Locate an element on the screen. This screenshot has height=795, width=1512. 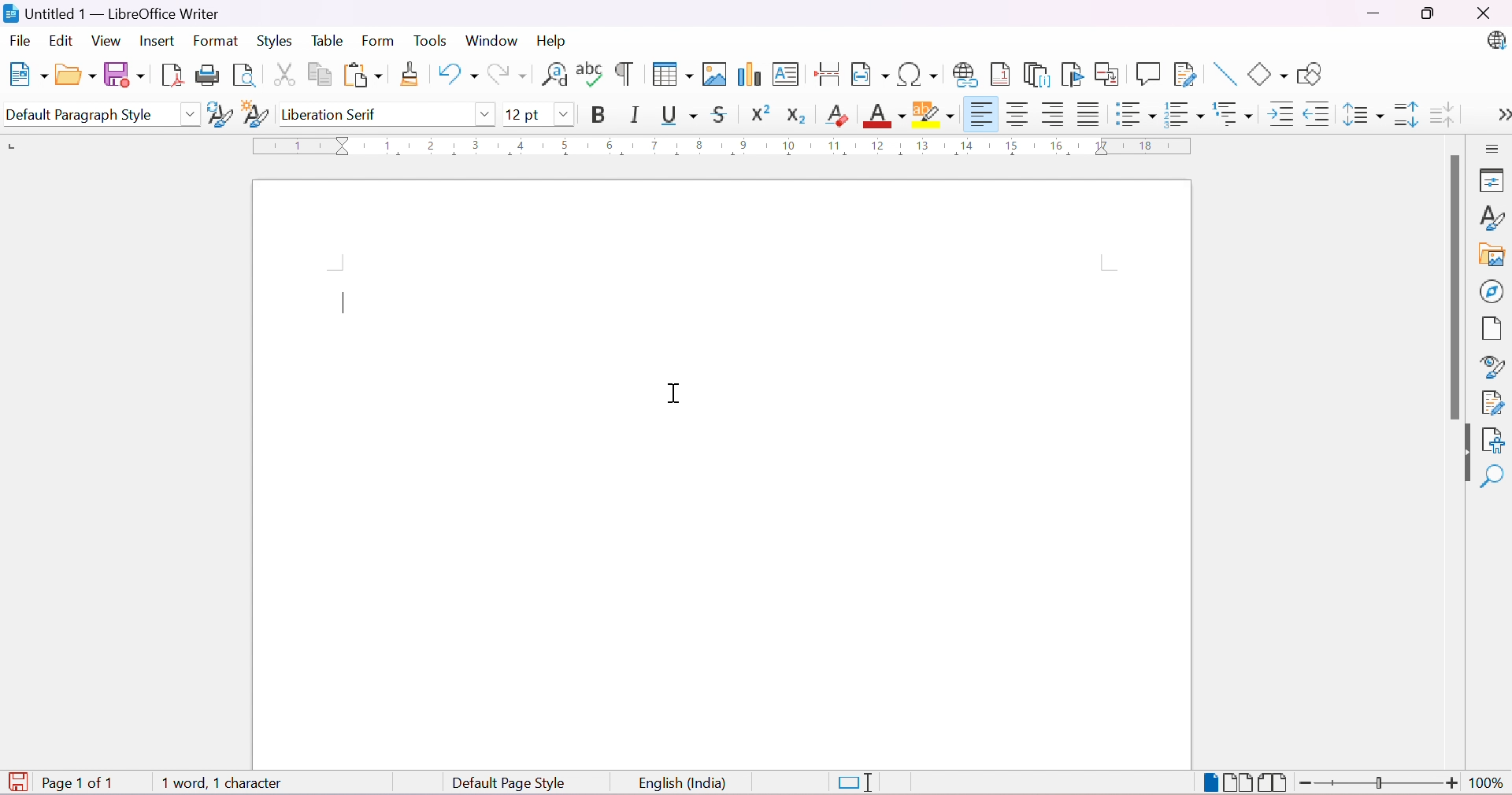
Untitled 1 - LibreOffice Writer is located at coordinates (110, 13).